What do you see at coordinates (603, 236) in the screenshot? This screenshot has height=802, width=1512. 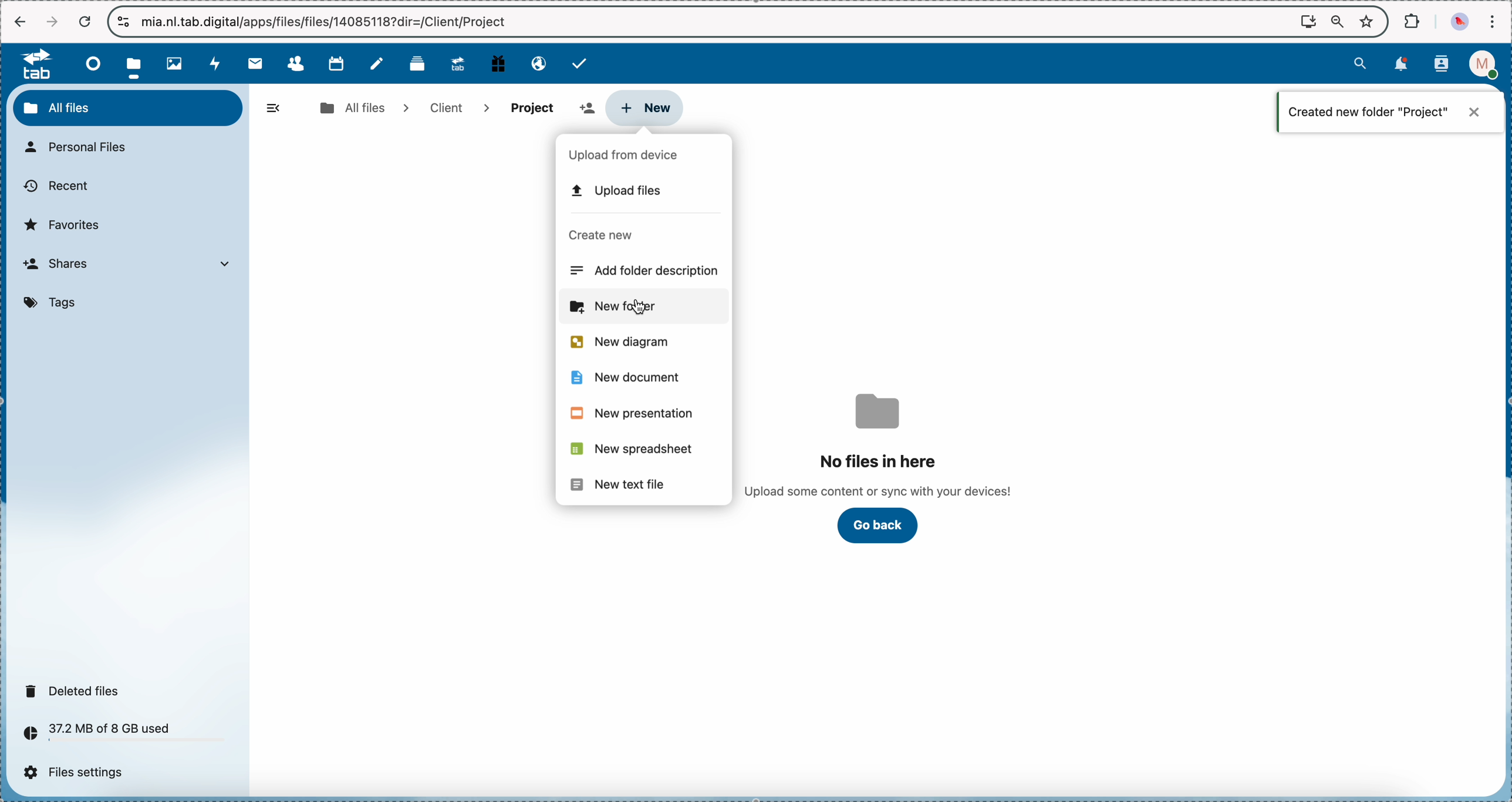 I see `create new` at bounding box center [603, 236].